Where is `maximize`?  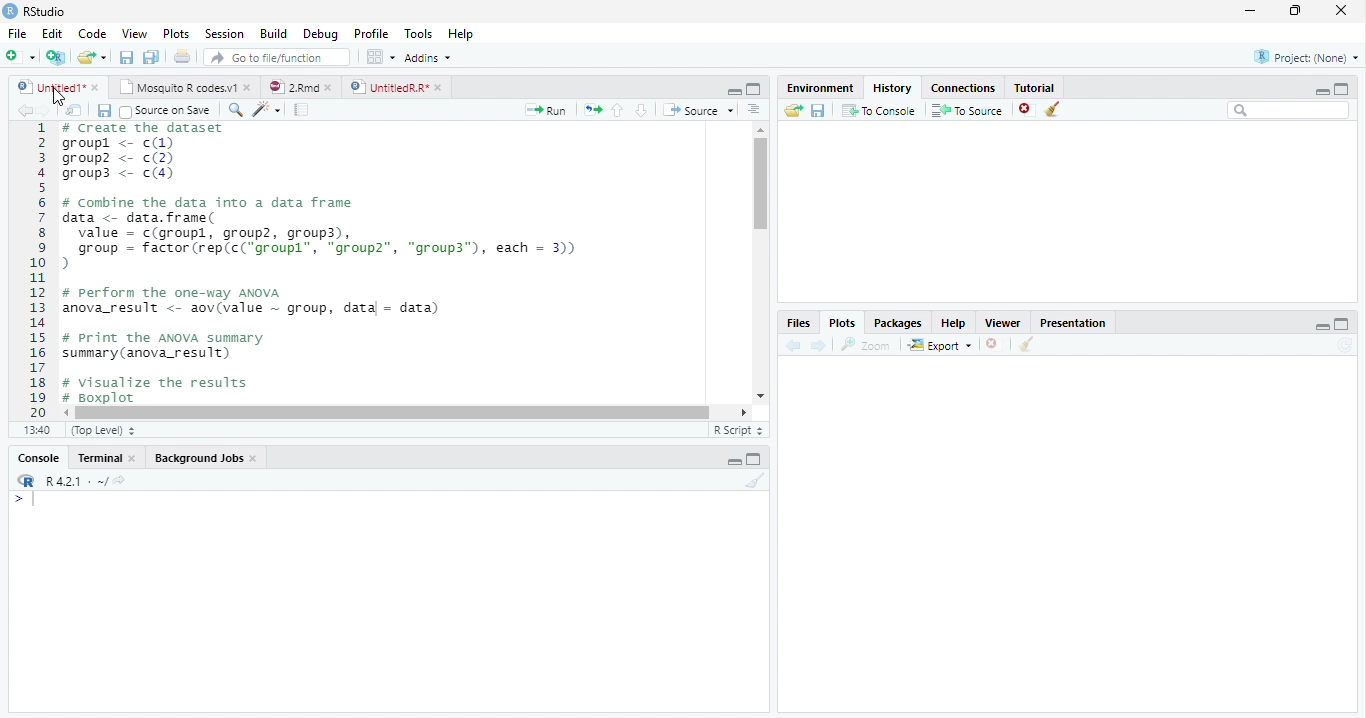
maximize is located at coordinates (1345, 88).